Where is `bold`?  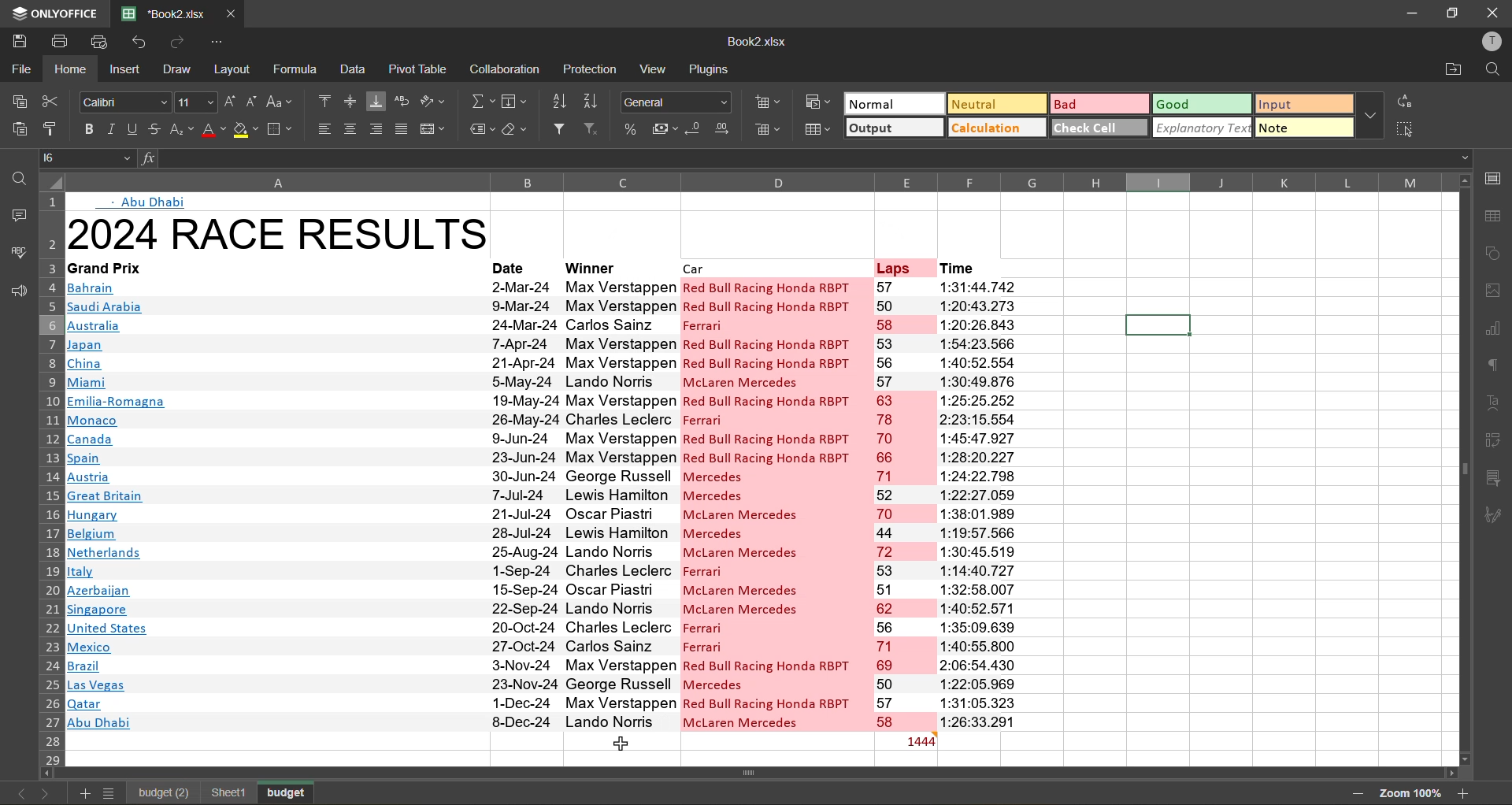 bold is located at coordinates (86, 128).